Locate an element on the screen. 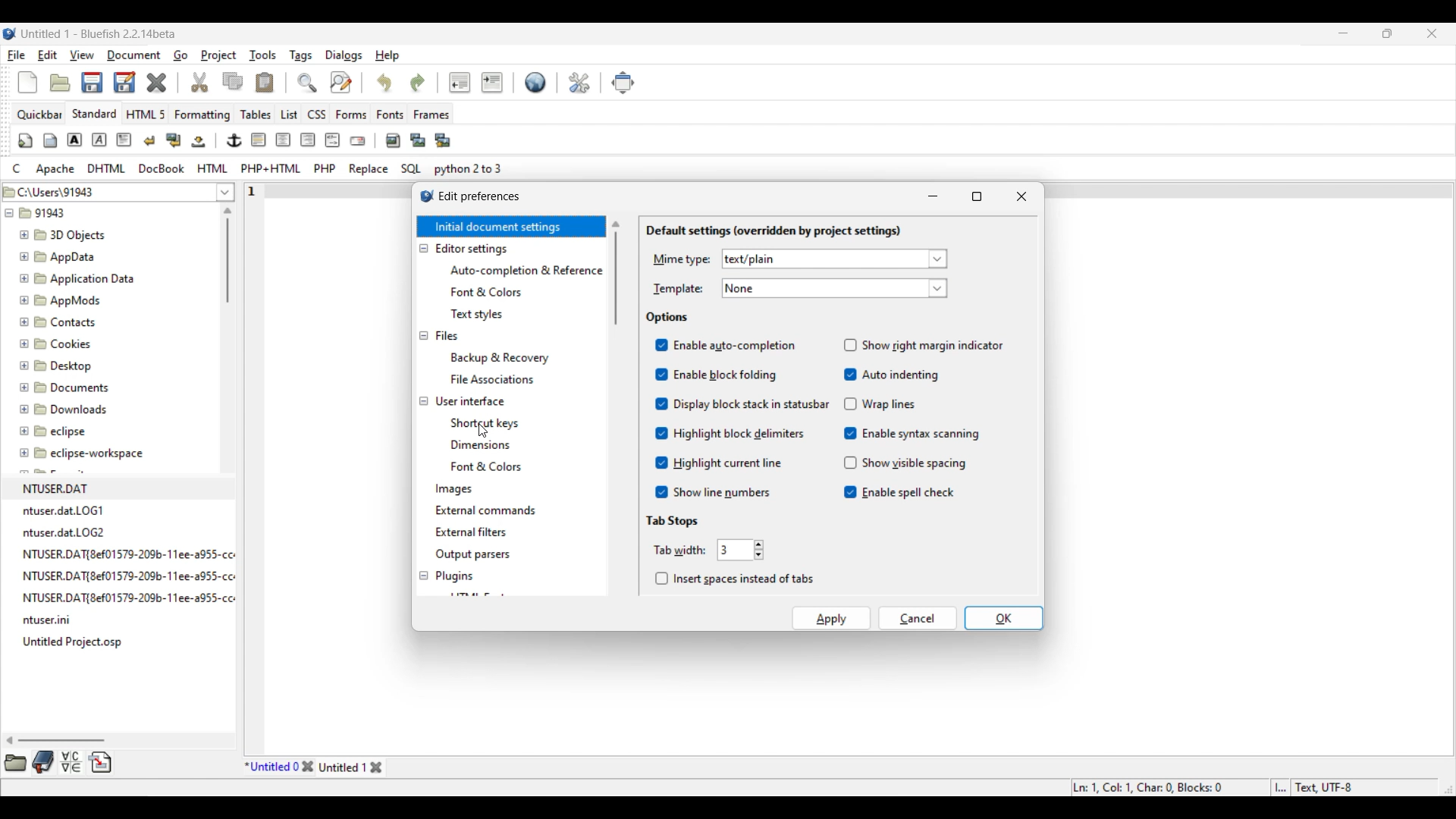  3D Objects is located at coordinates (64, 235).